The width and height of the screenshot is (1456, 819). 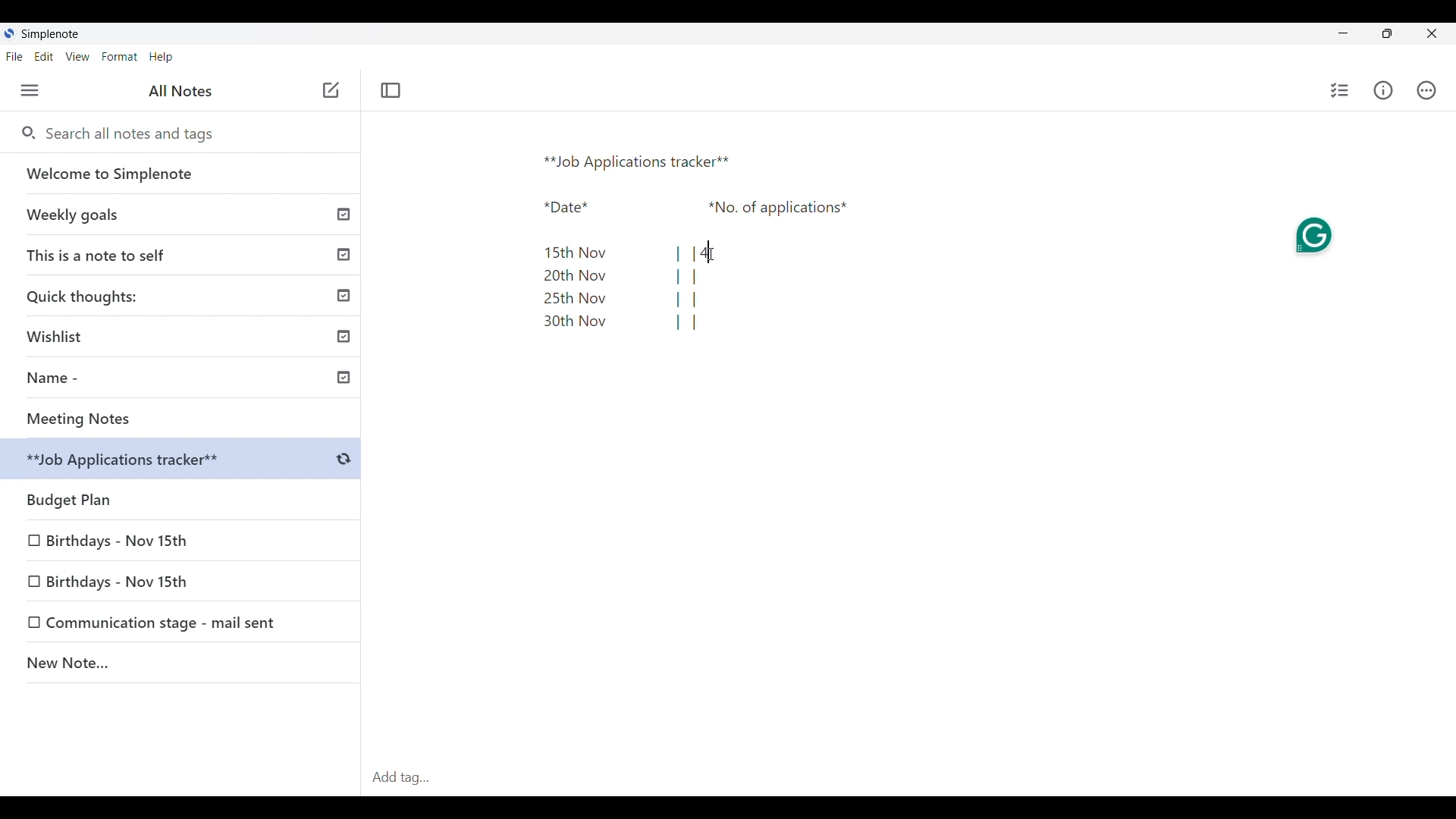 What do you see at coordinates (1432, 33) in the screenshot?
I see `Close interface` at bounding box center [1432, 33].